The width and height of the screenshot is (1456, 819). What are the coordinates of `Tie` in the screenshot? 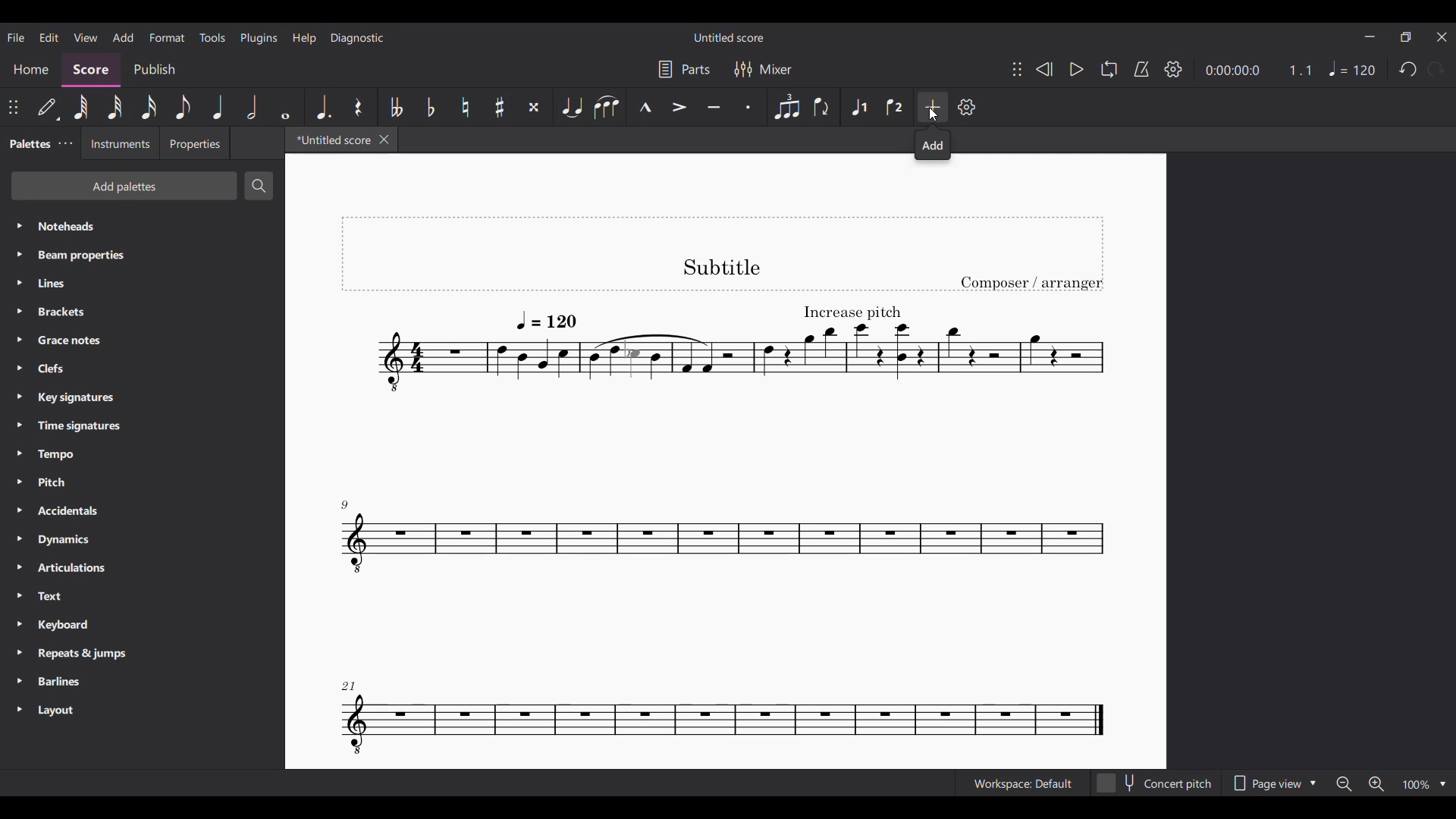 It's located at (570, 107).